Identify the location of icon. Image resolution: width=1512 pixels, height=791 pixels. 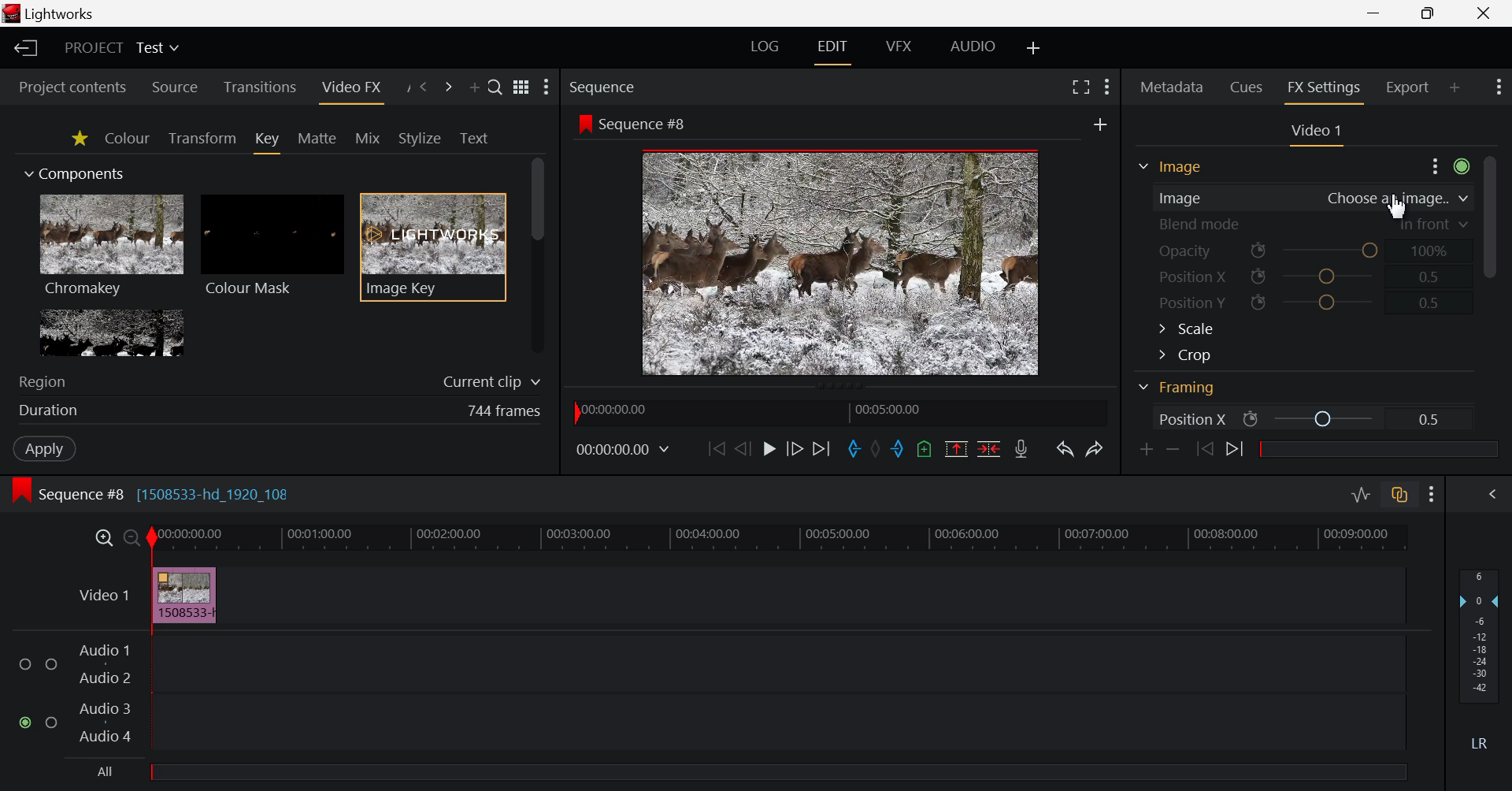
(584, 123).